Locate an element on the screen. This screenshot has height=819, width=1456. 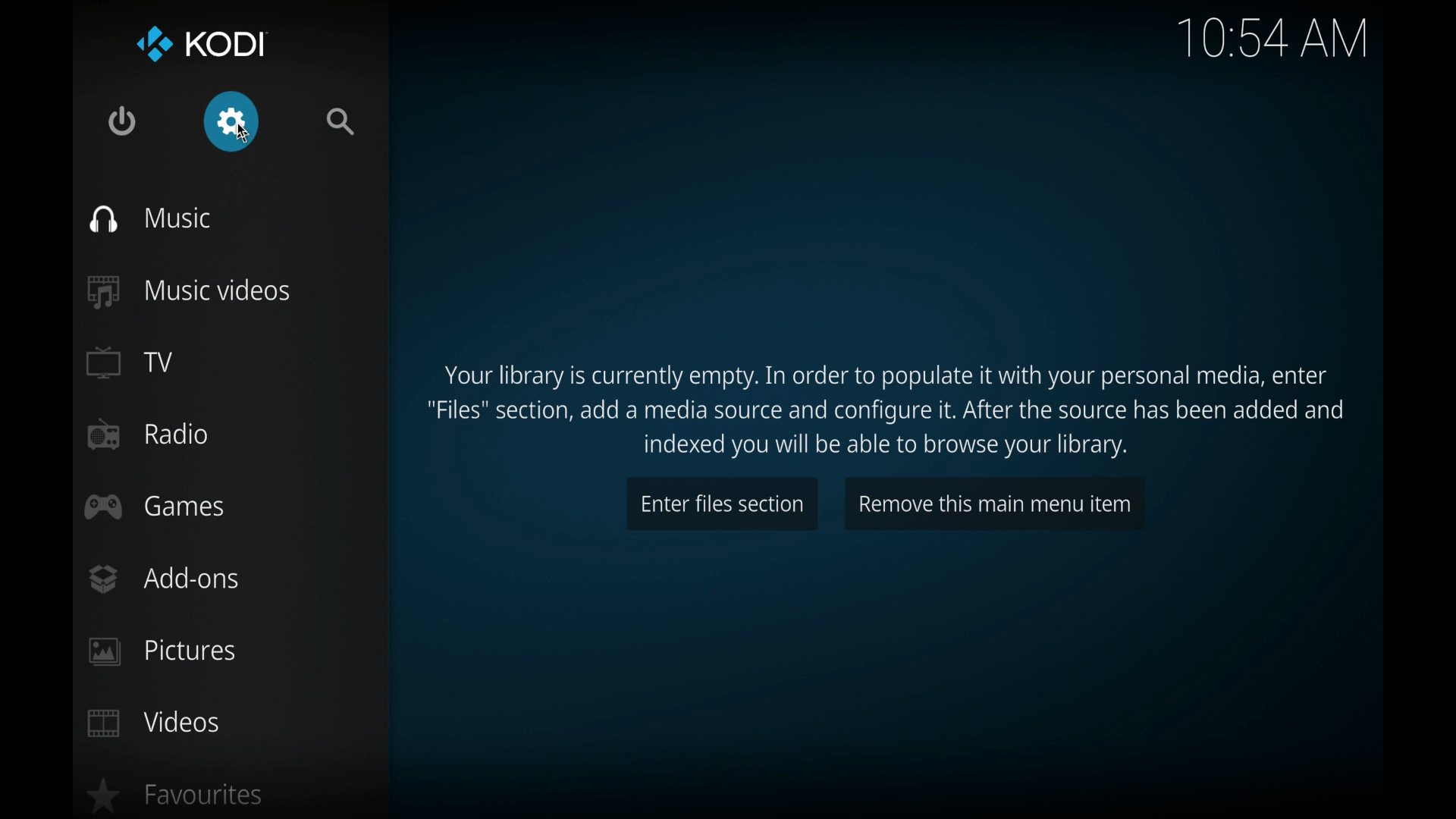
settings is located at coordinates (233, 123).